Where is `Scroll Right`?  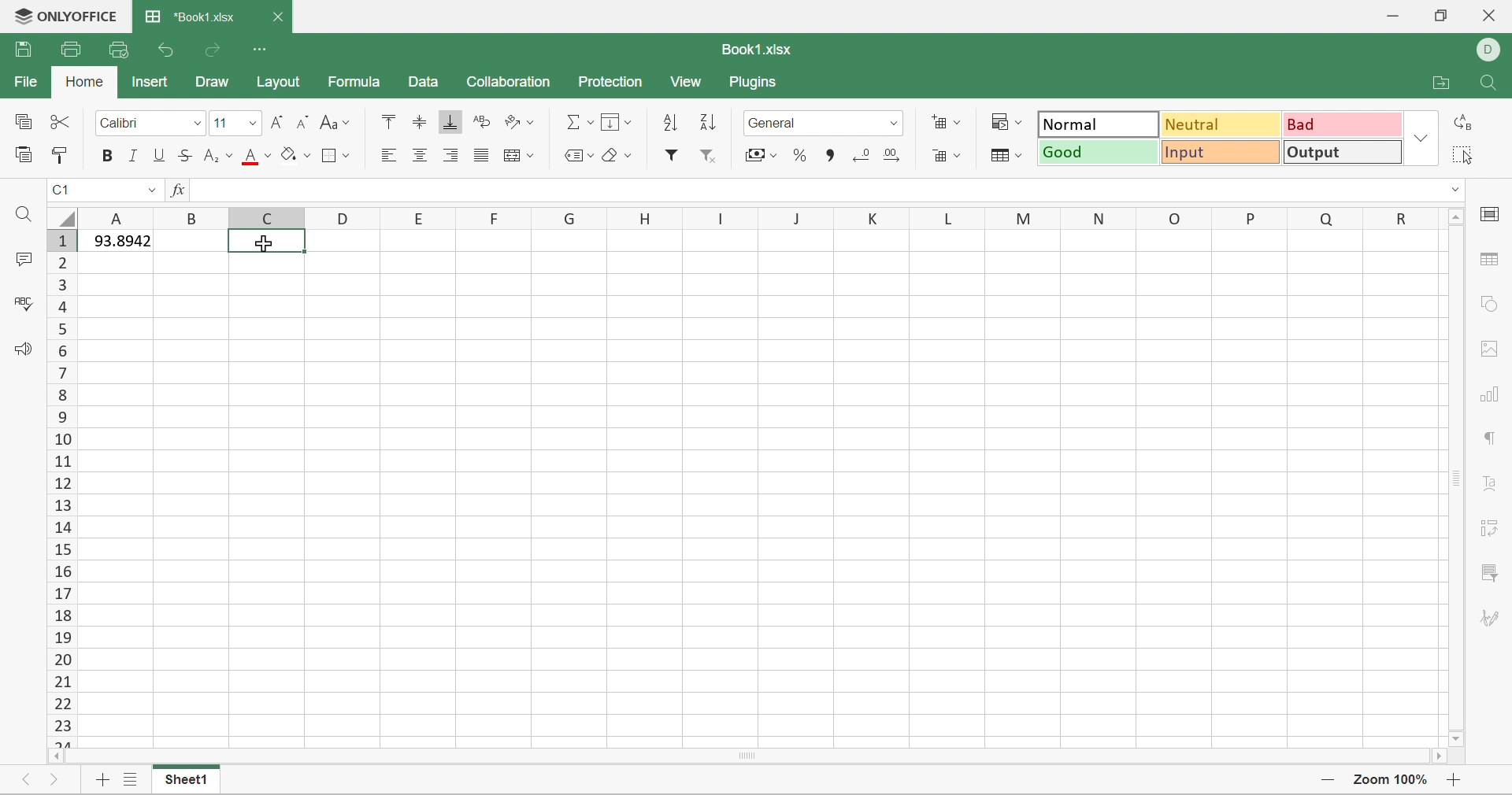 Scroll Right is located at coordinates (1434, 758).